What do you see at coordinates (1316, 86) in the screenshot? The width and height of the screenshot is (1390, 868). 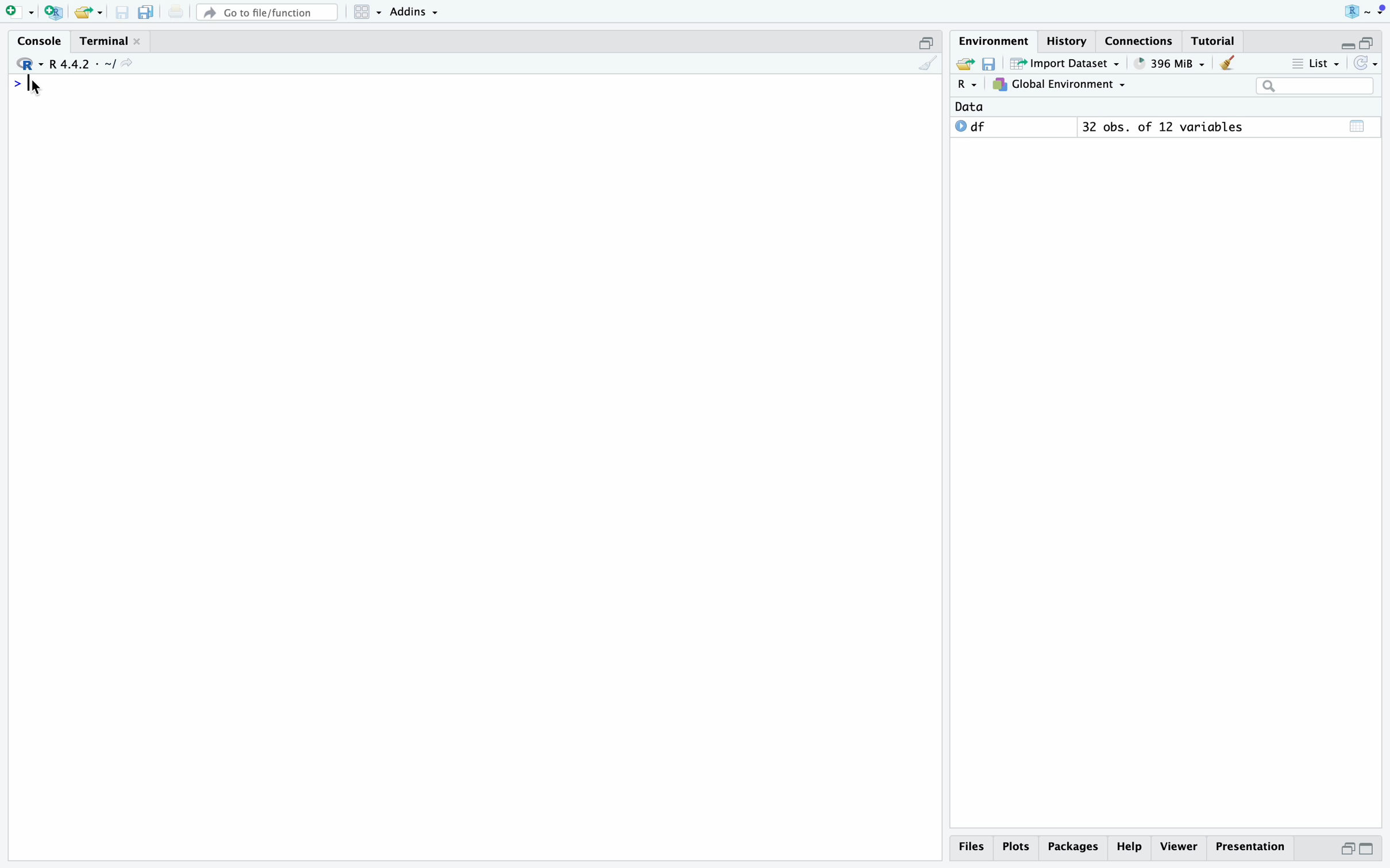 I see `searchbox` at bounding box center [1316, 86].